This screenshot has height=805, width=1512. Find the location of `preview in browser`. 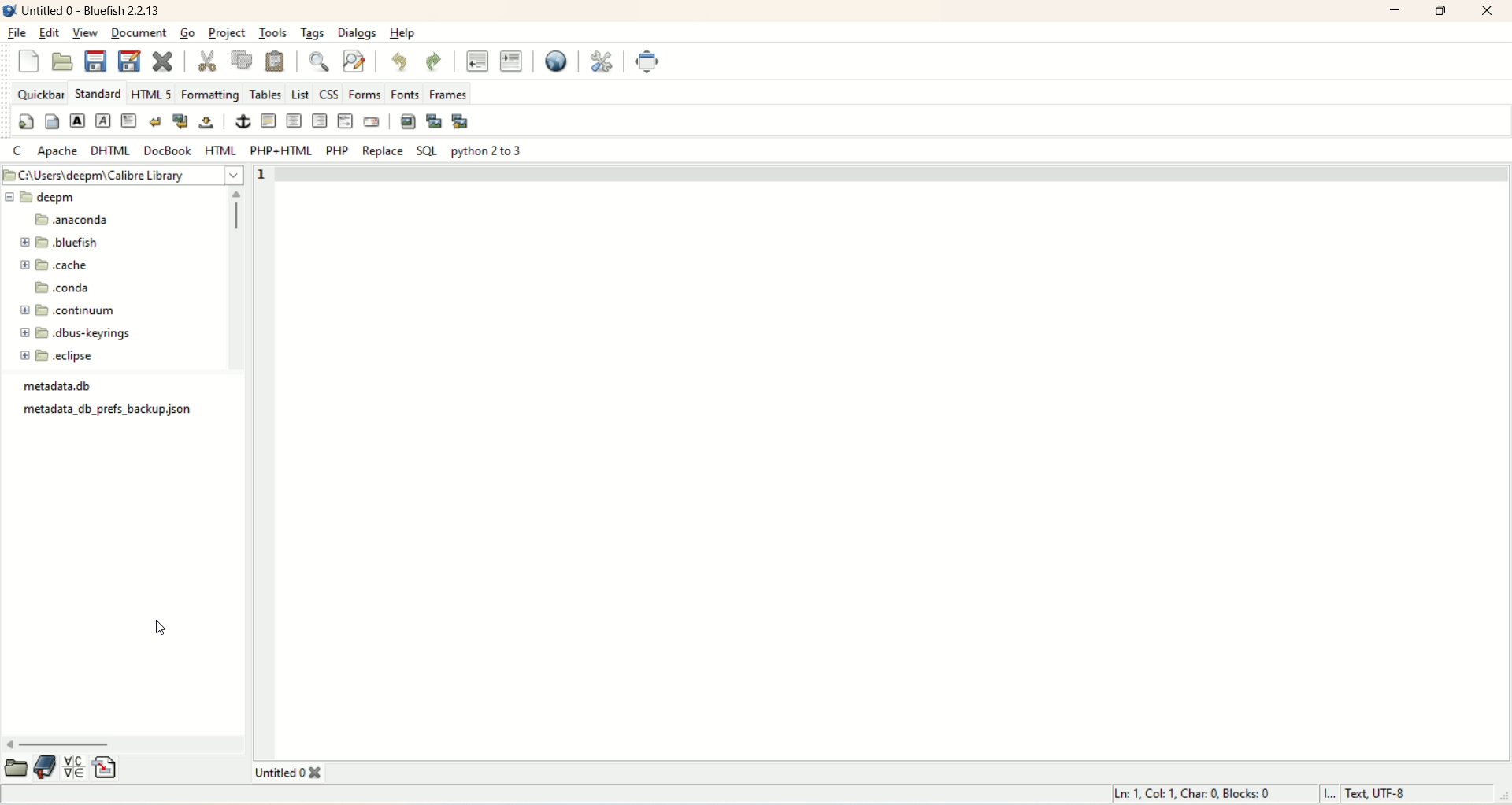

preview in browser is located at coordinates (553, 60).